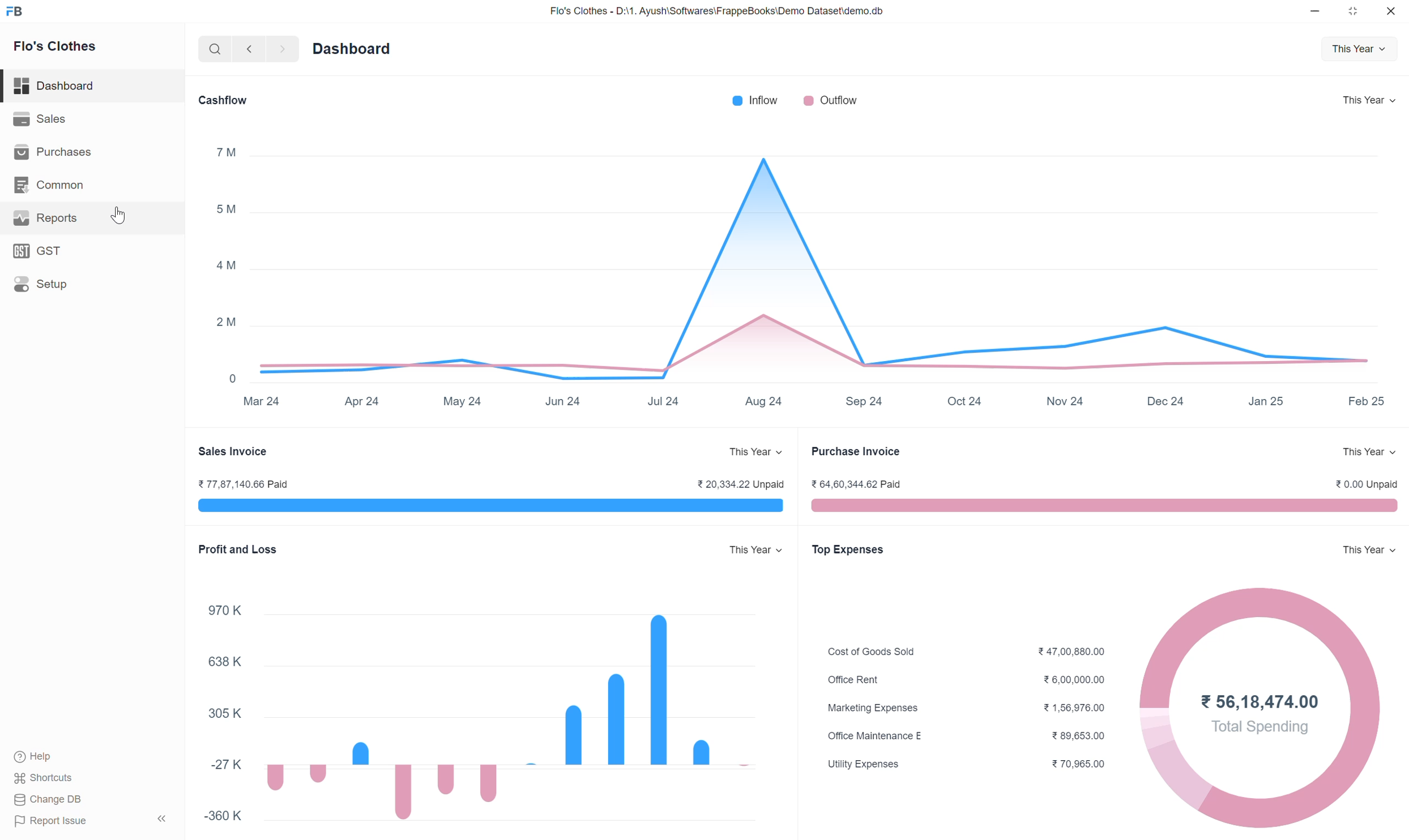 The image size is (1409, 840). Describe the element at coordinates (563, 401) in the screenshot. I see `jun 24` at that location.